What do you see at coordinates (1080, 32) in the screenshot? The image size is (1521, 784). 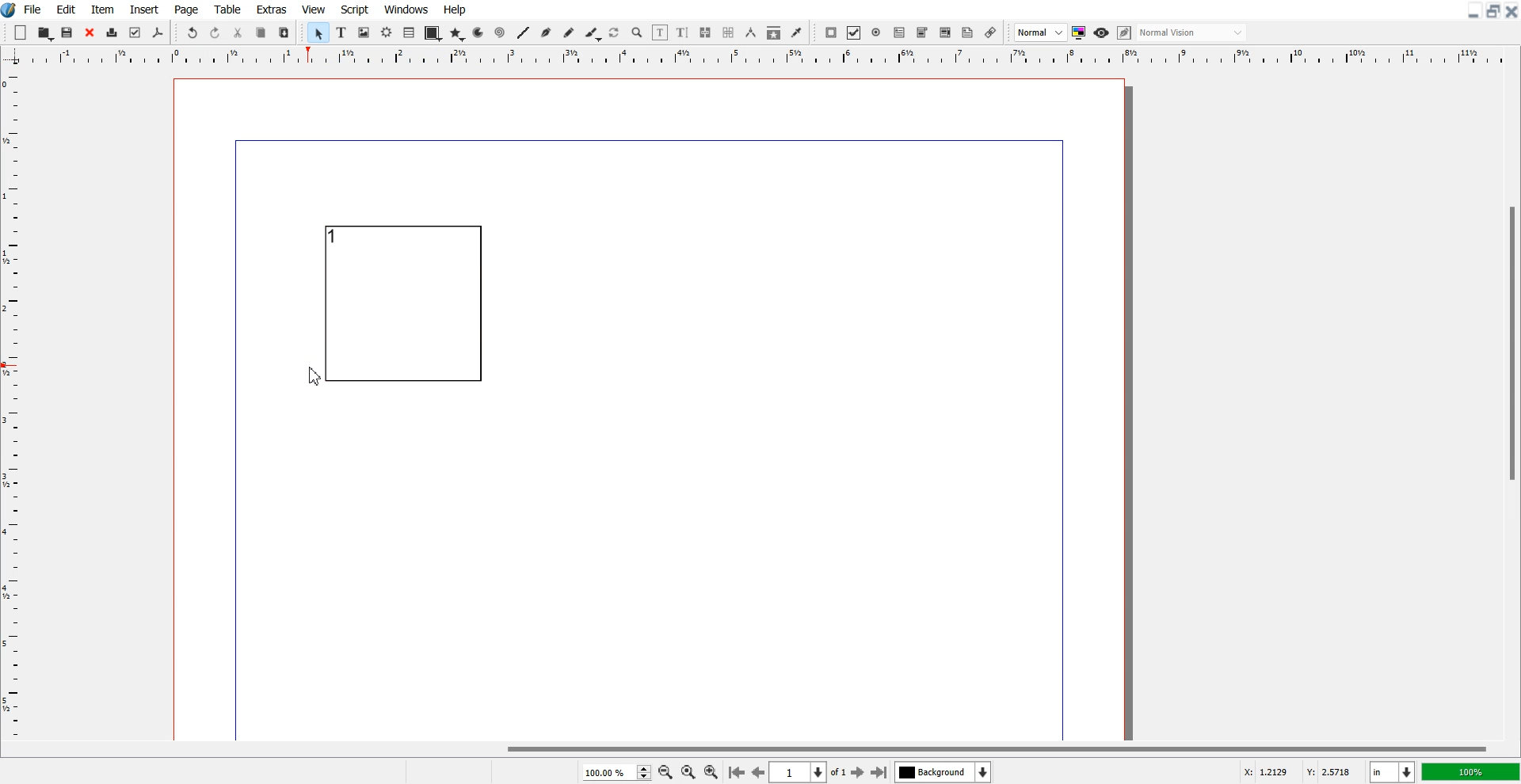 I see `Toggle color management system` at bounding box center [1080, 32].